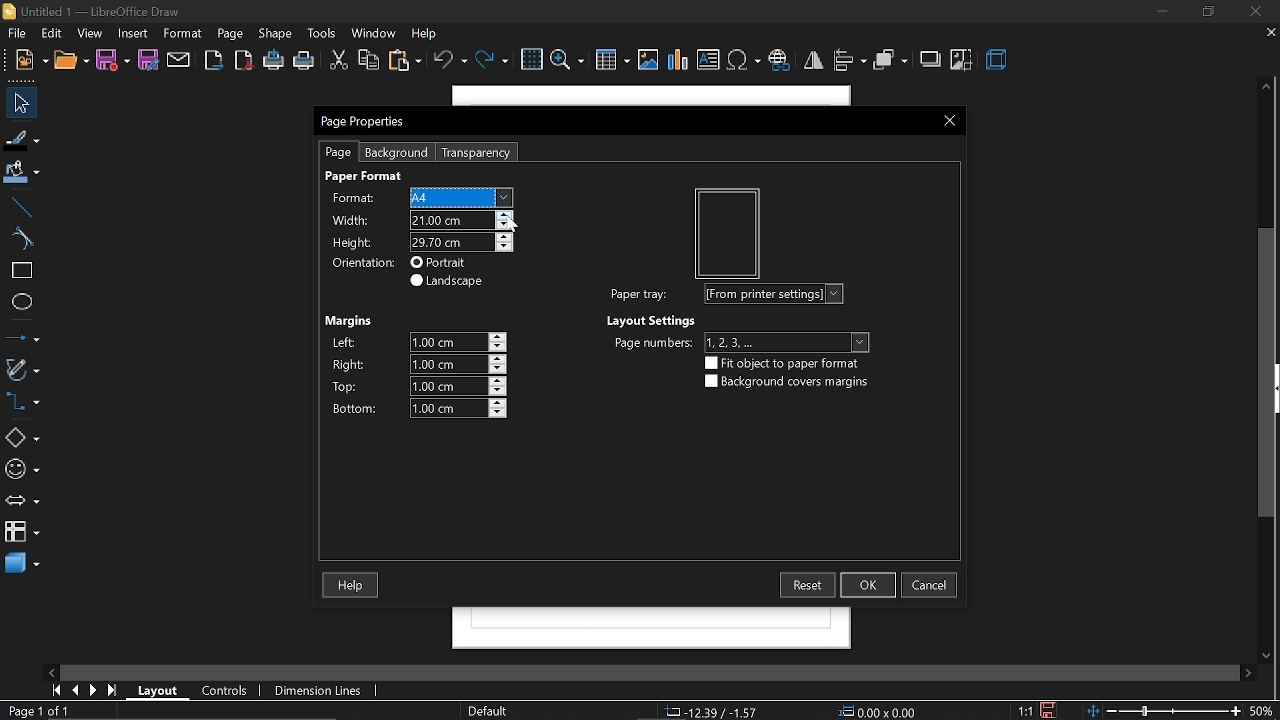  I want to click on print, so click(304, 63).